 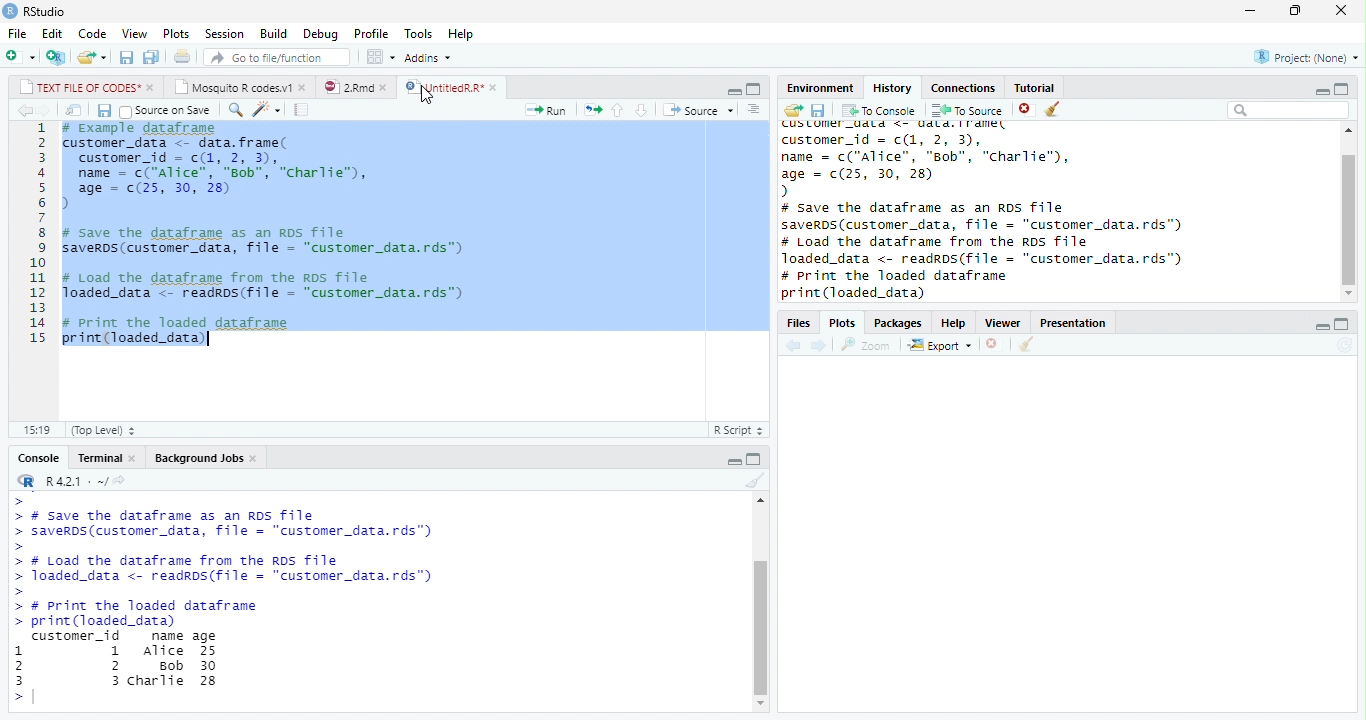 I want to click on close, so click(x=496, y=87).